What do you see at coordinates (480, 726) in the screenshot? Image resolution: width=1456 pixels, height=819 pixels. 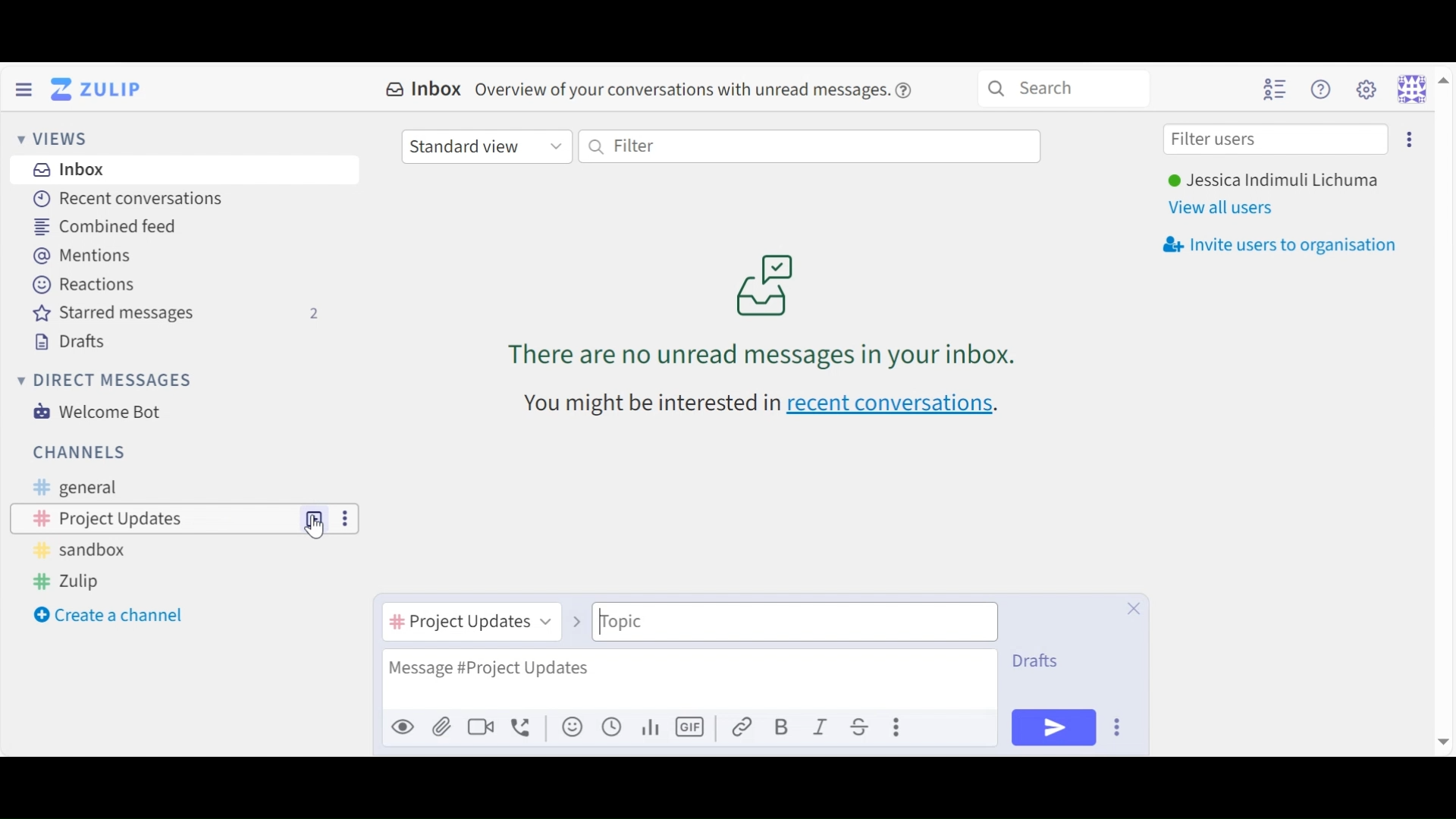 I see `Ad video call` at bounding box center [480, 726].